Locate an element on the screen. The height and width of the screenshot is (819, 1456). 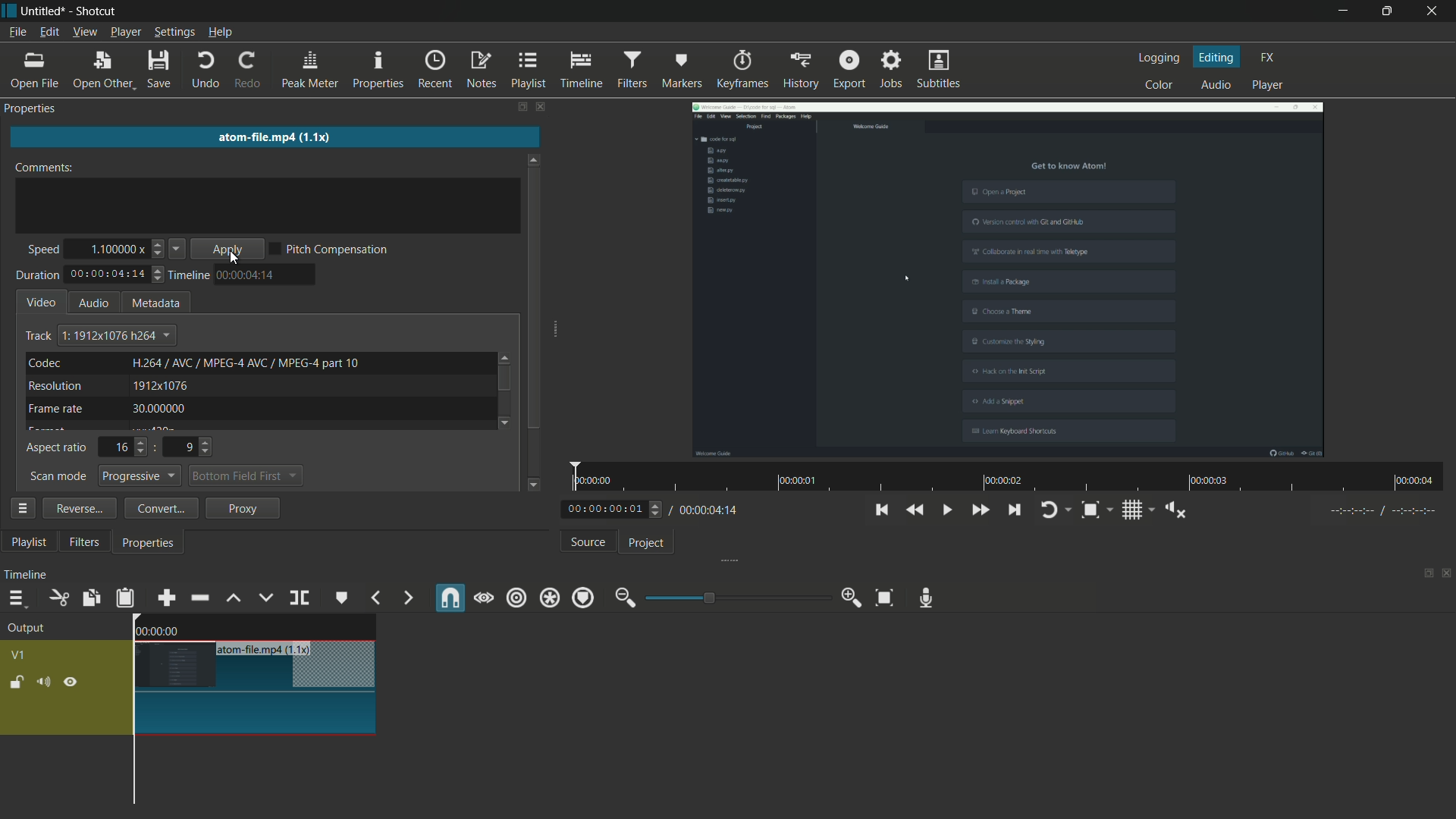
player menu is located at coordinates (126, 33).